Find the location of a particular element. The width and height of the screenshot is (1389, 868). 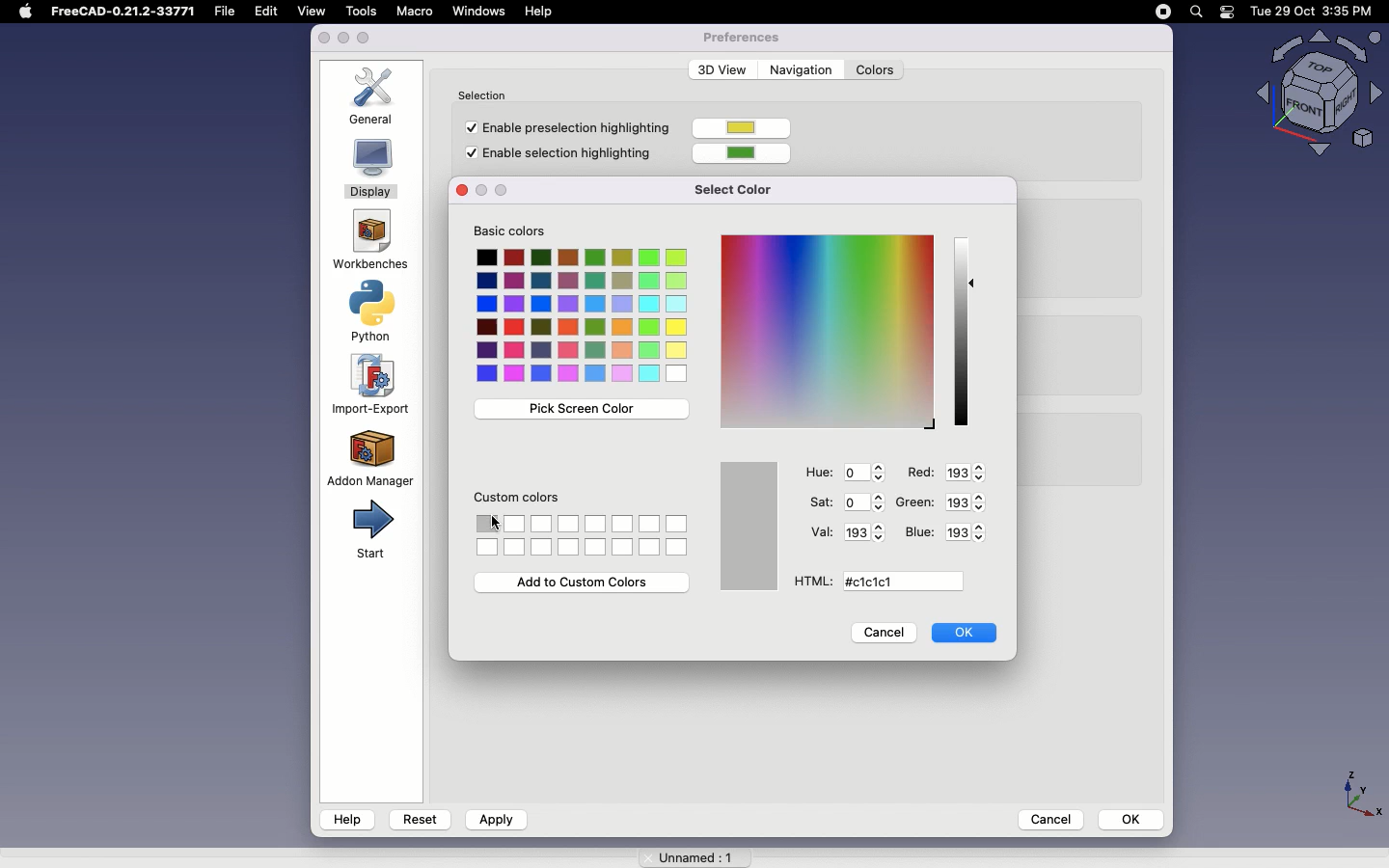

Workbenches is located at coordinates (368, 241).